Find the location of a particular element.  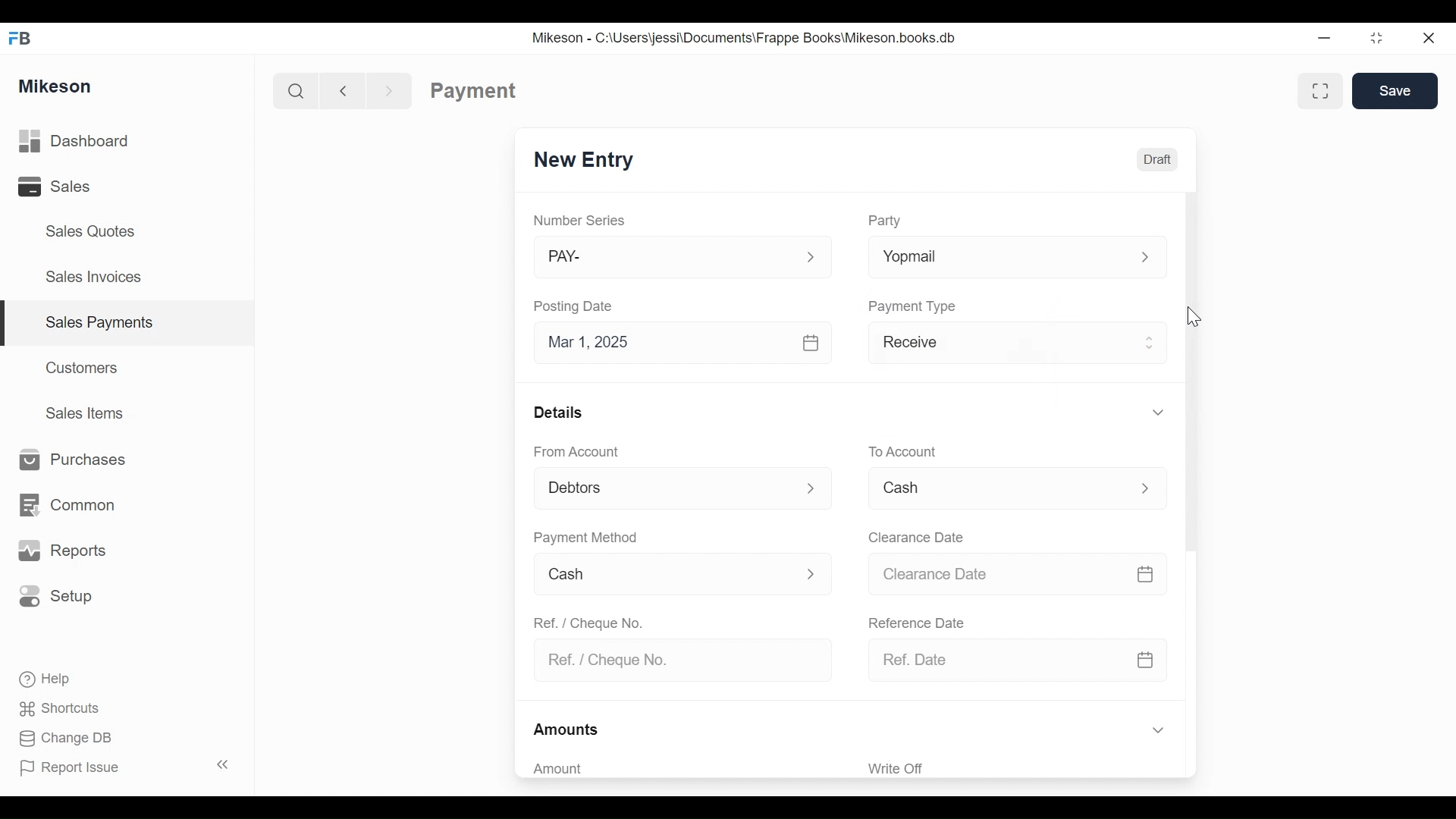

Maximize is located at coordinates (1374, 40).